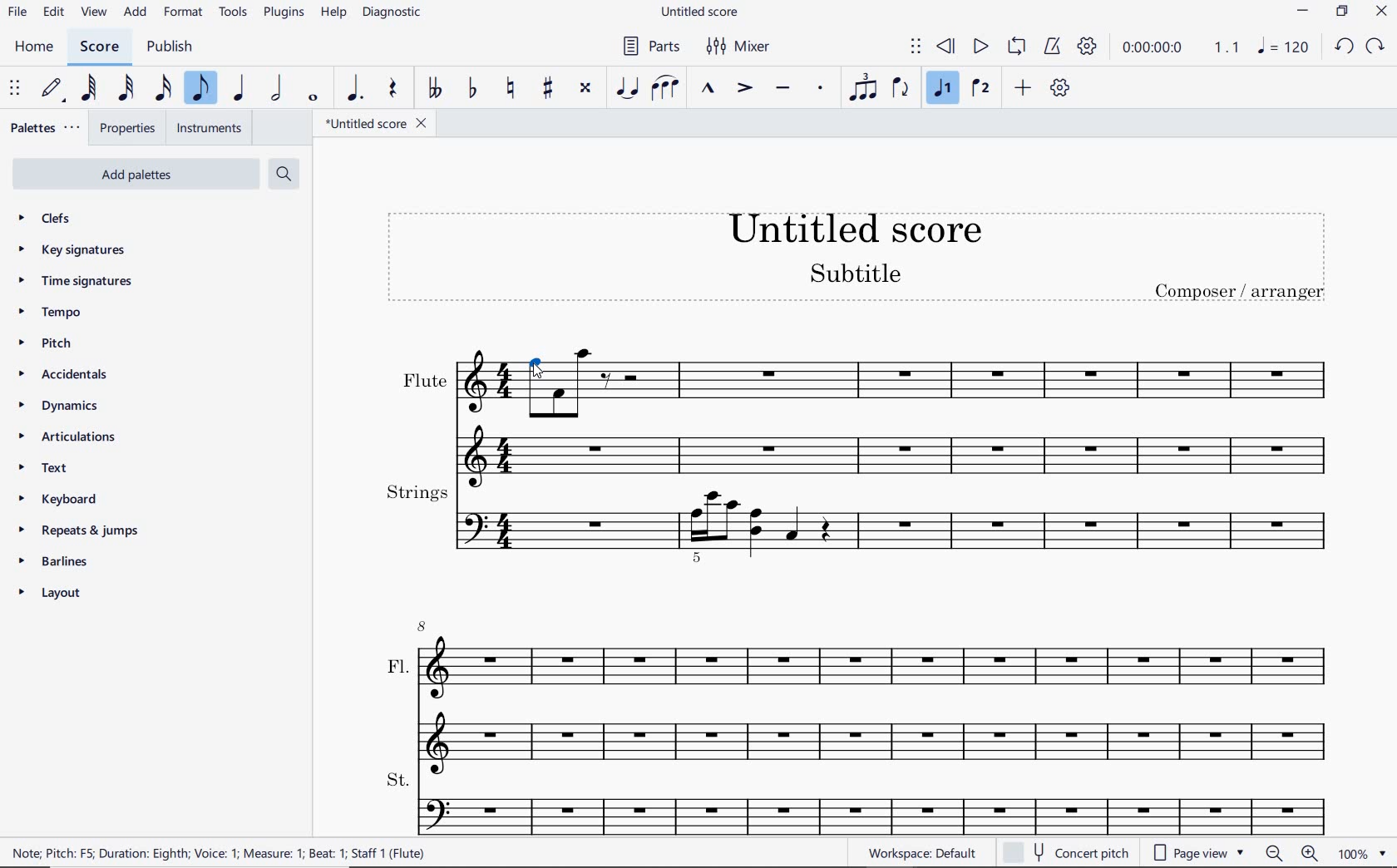 The width and height of the screenshot is (1397, 868). What do you see at coordinates (783, 89) in the screenshot?
I see `TENUTO` at bounding box center [783, 89].